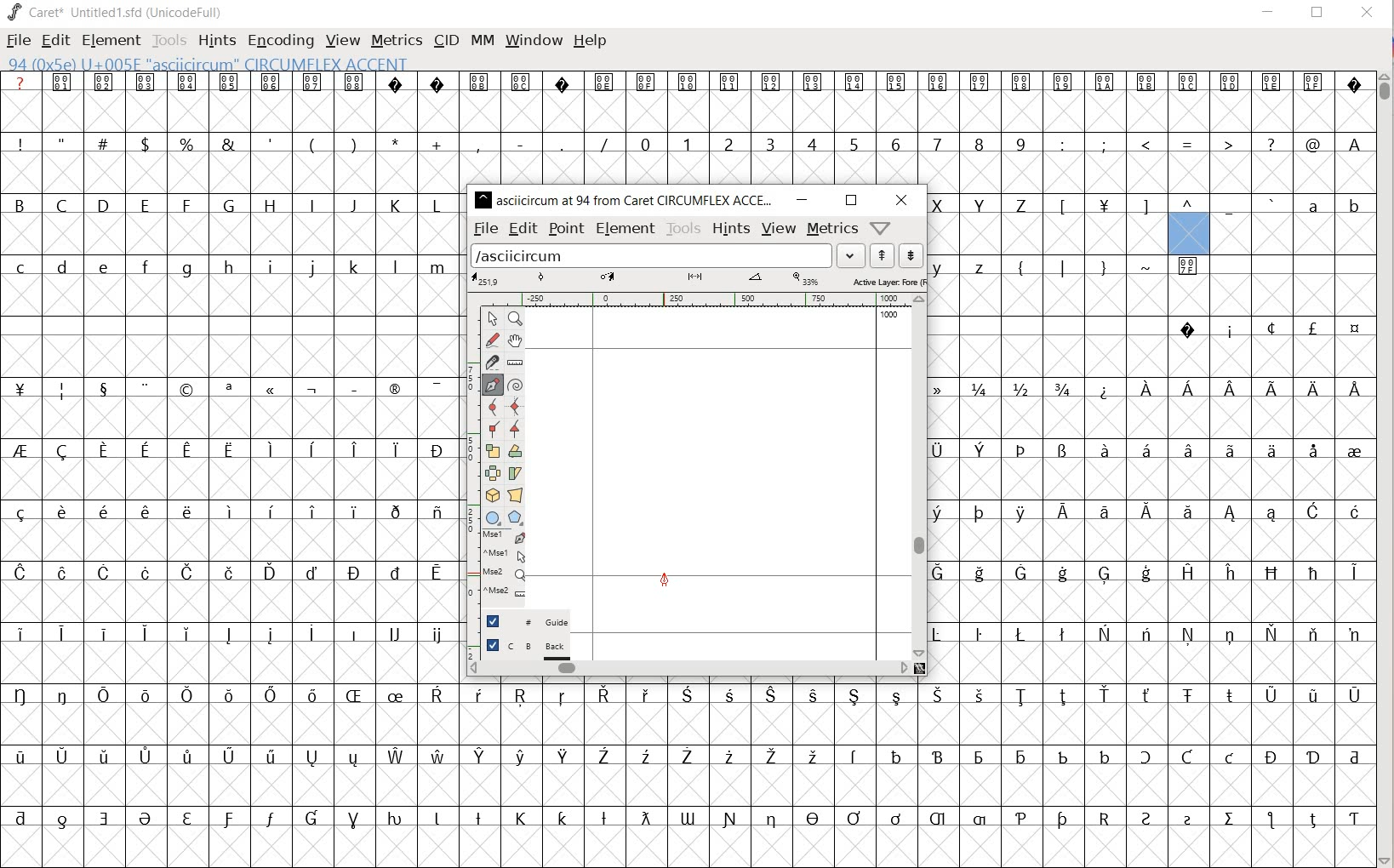  What do you see at coordinates (626, 197) in the screenshot?
I see `asciicircum at 94 from caret circumflex ACCE...` at bounding box center [626, 197].